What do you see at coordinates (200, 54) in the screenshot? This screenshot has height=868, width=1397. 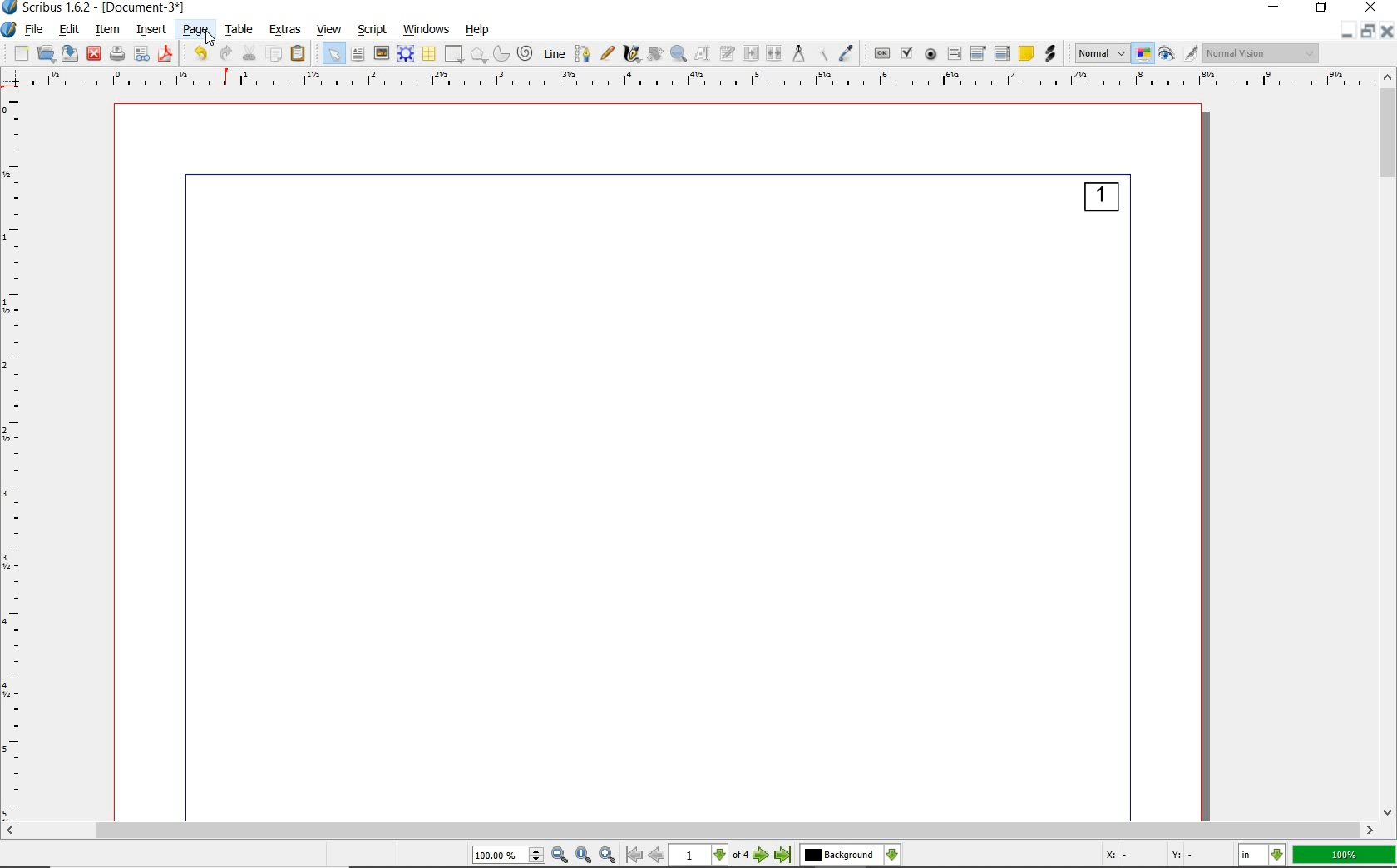 I see `undo` at bounding box center [200, 54].